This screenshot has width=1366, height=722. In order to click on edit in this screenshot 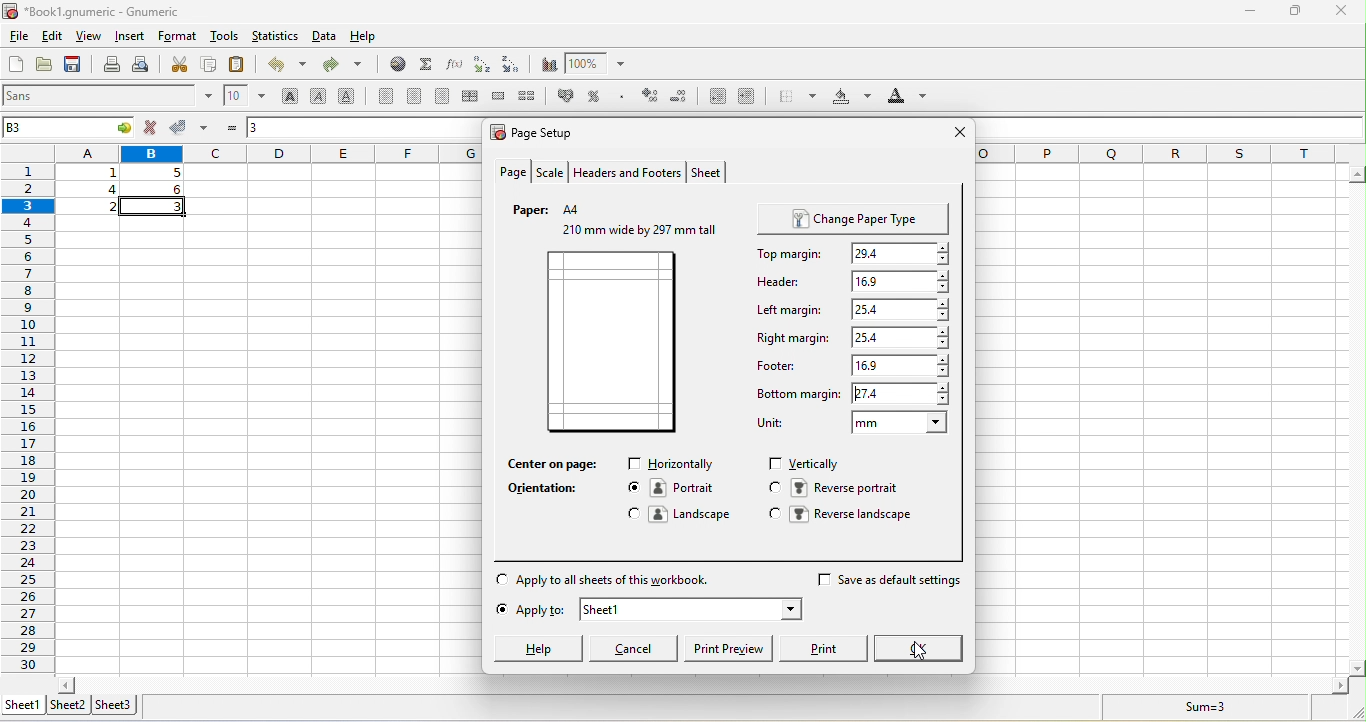, I will do `click(56, 37)`.